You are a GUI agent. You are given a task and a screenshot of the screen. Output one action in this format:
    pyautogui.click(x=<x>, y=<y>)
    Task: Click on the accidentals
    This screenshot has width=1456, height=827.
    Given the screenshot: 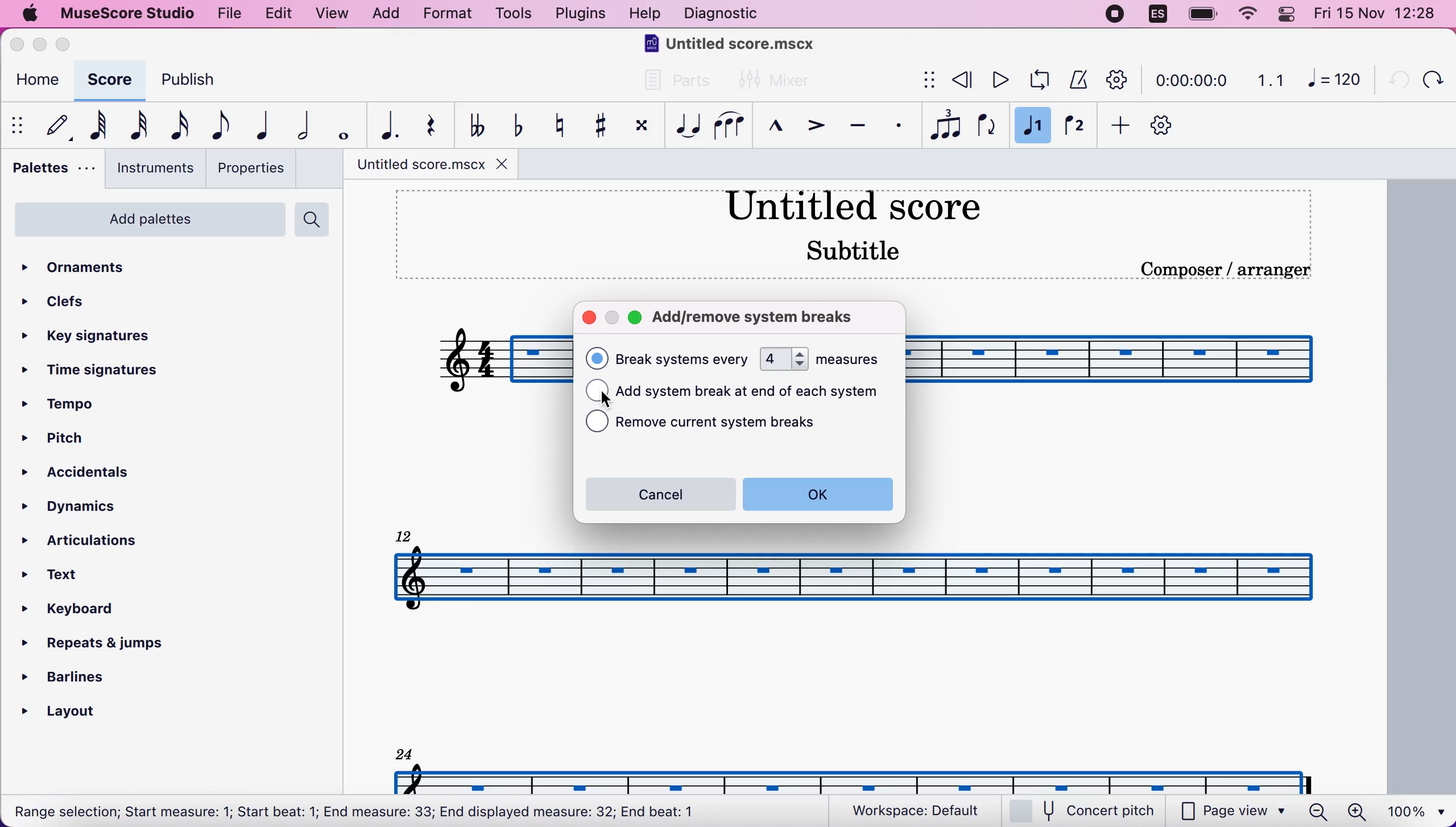 What is the action you would take?
    pyautogui.click(x=105, y=474)
    